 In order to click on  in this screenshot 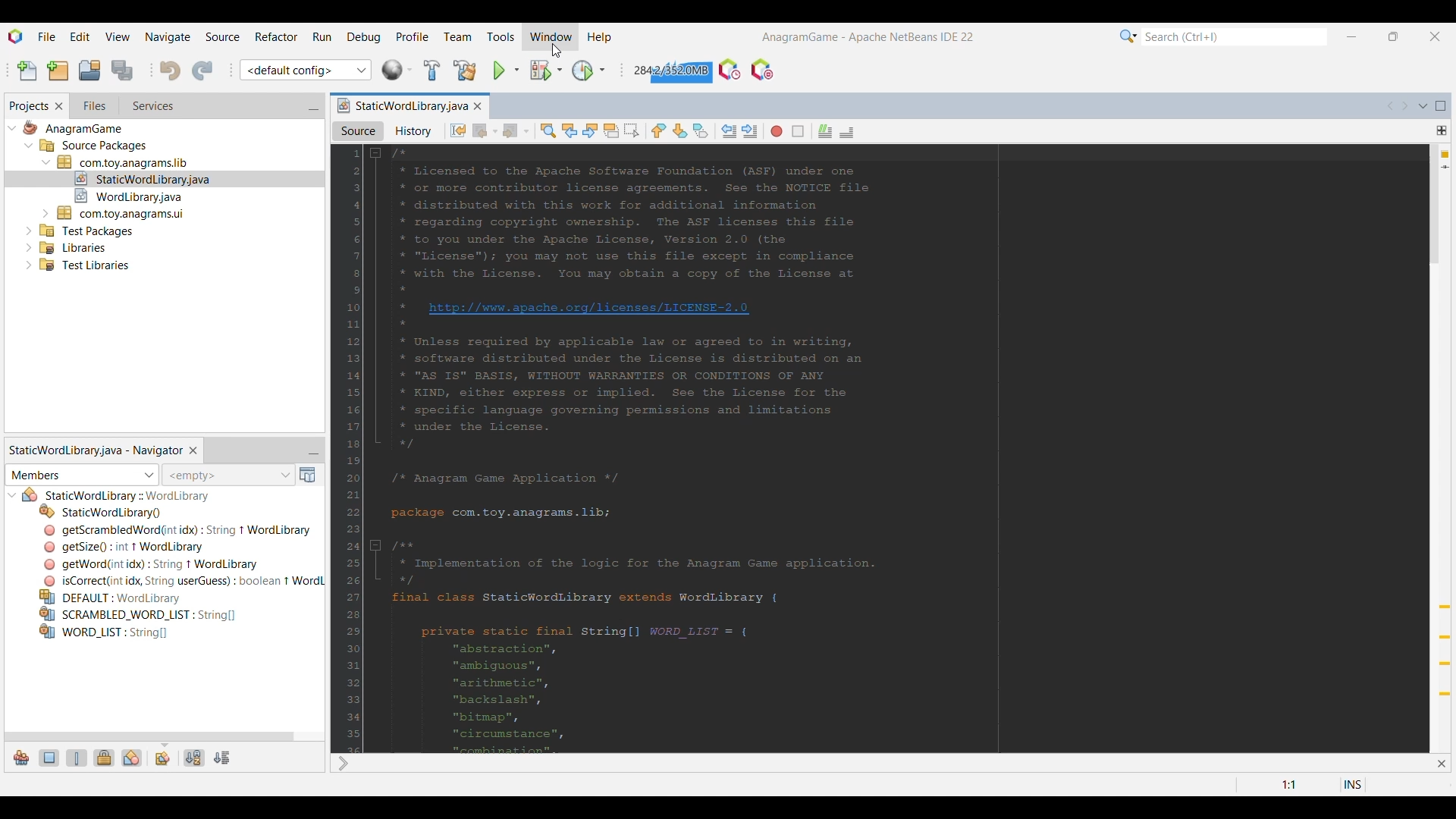, I will do `click(138, 613)`.